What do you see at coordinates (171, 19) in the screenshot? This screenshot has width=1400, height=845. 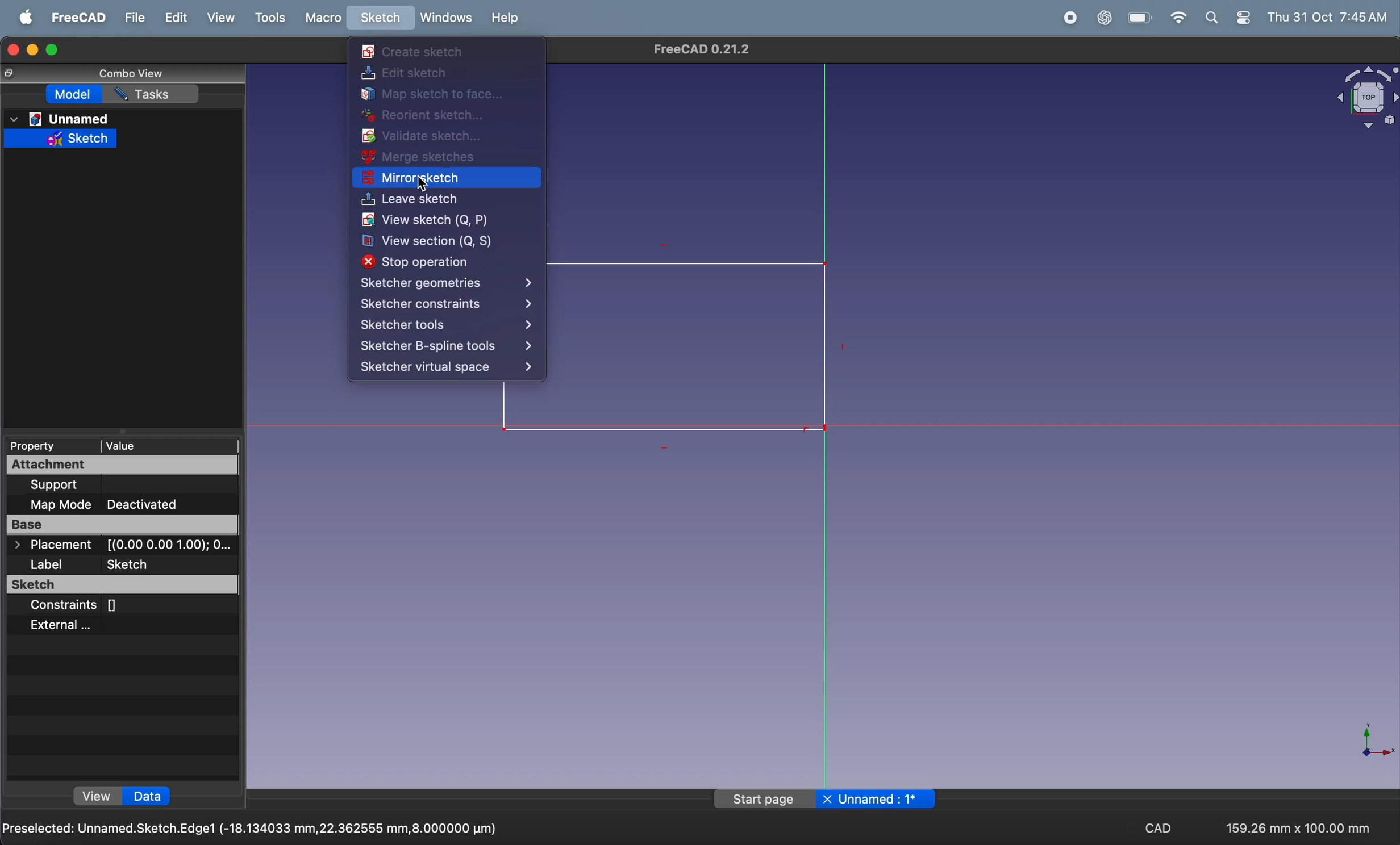 I see `edit` at bounding box center [171, 19].